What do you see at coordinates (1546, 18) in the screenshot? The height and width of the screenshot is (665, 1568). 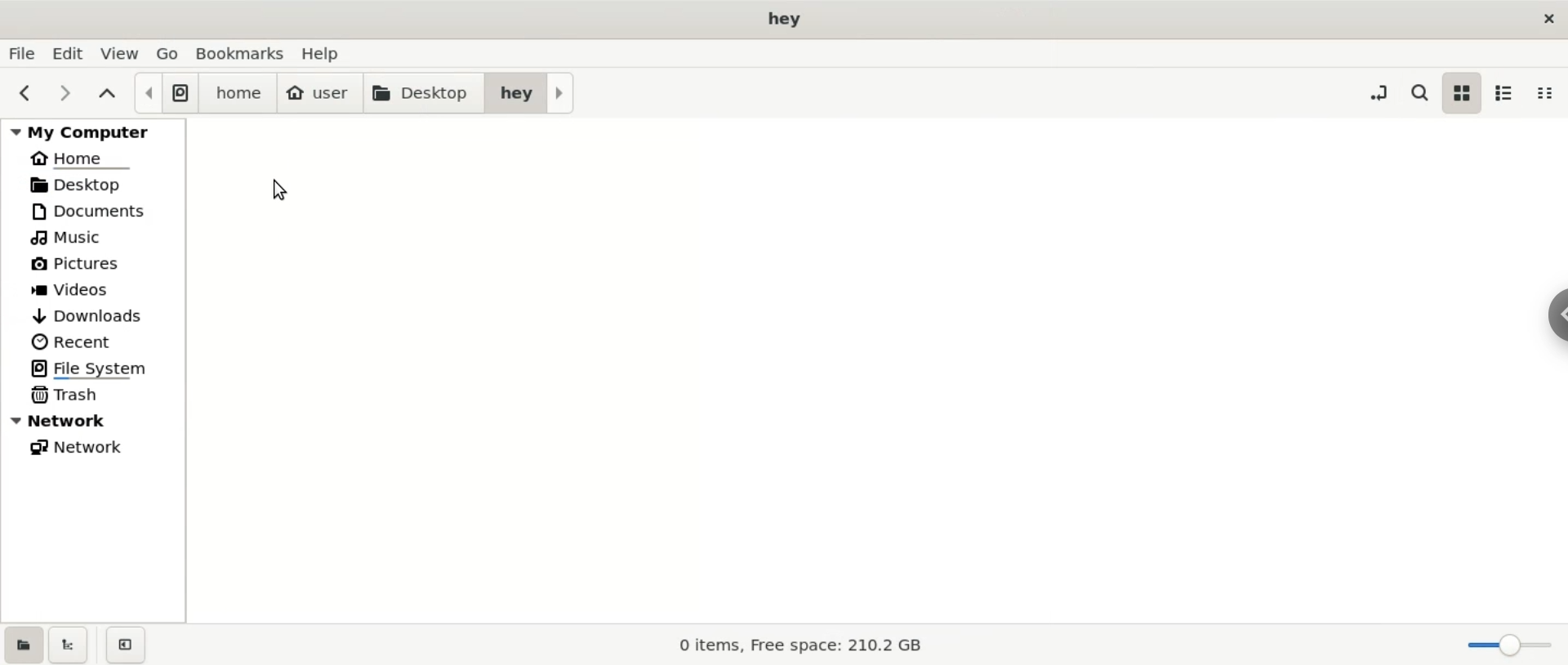 I see `close` at bounding box center [1546, 18].